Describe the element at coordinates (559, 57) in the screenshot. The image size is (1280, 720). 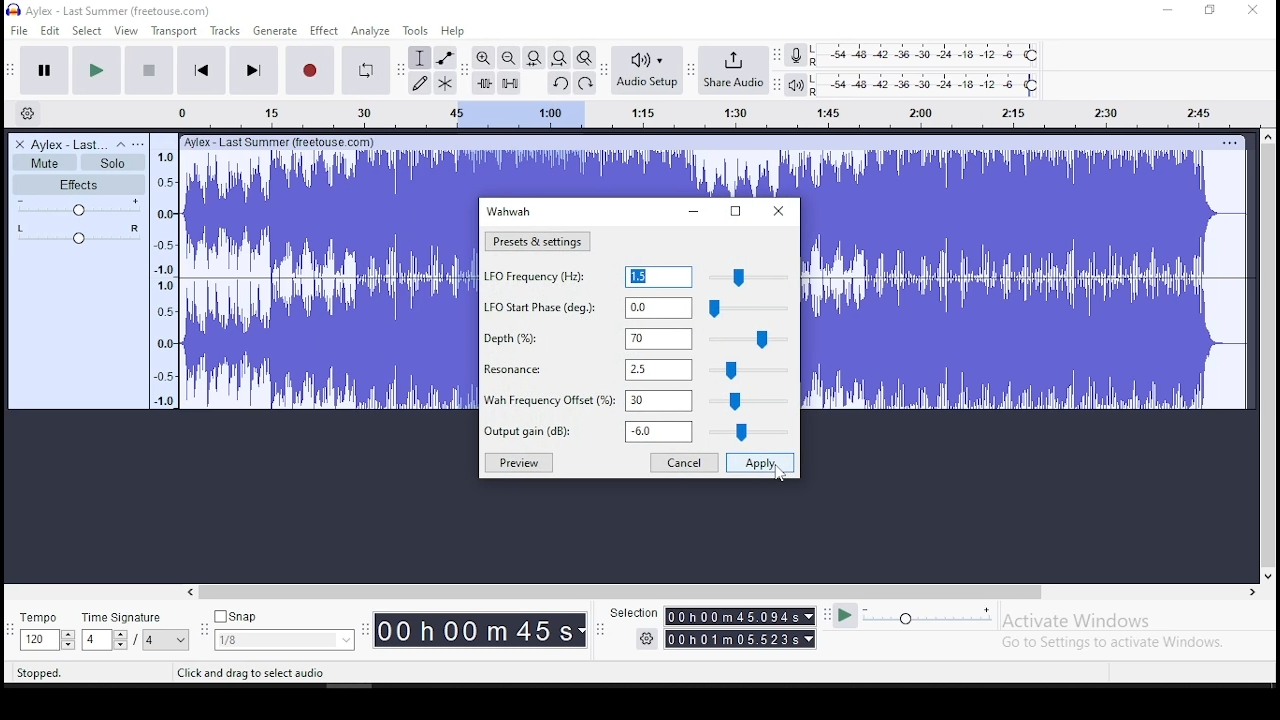
I see `fit project to width` at that location.